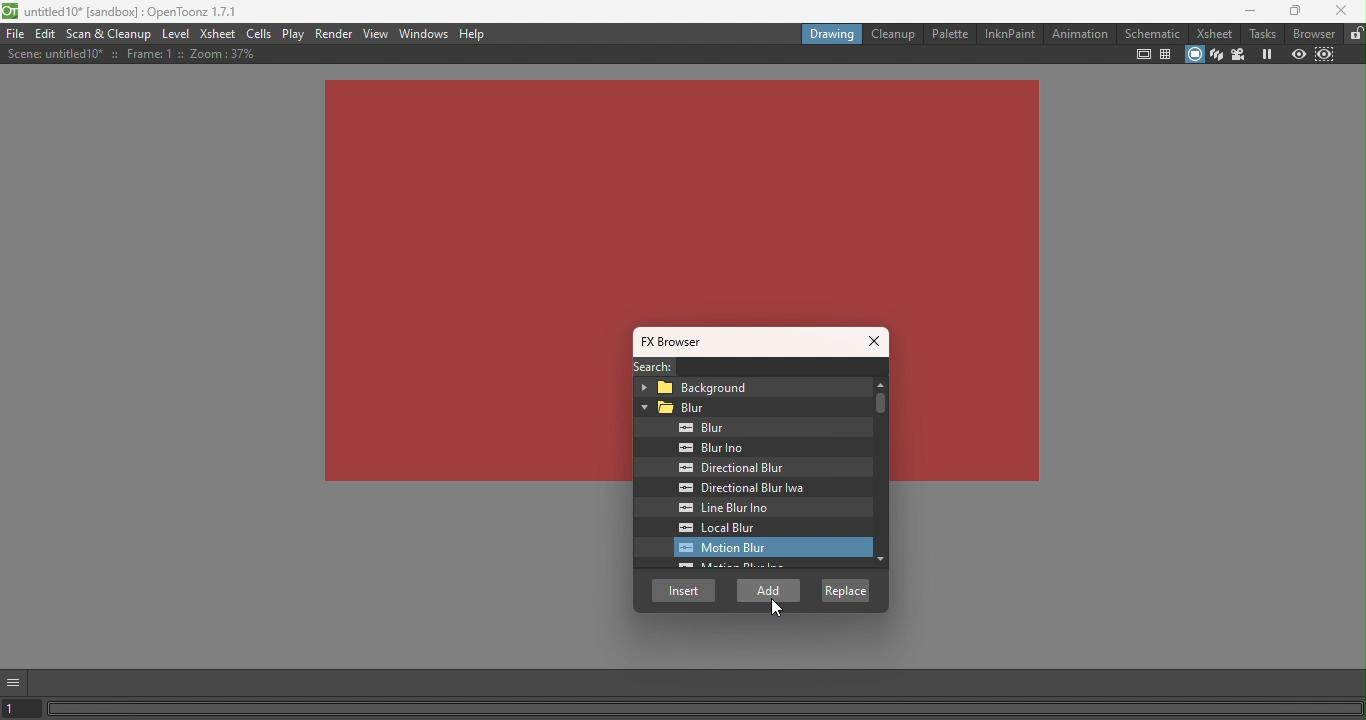 Image resolution: width=1366 pixels, height=720 pixels. What do you see at coordinates (1325, 55) in the screenshot?
I see `Sub-camera preview` at bounding box center [1325, 55].